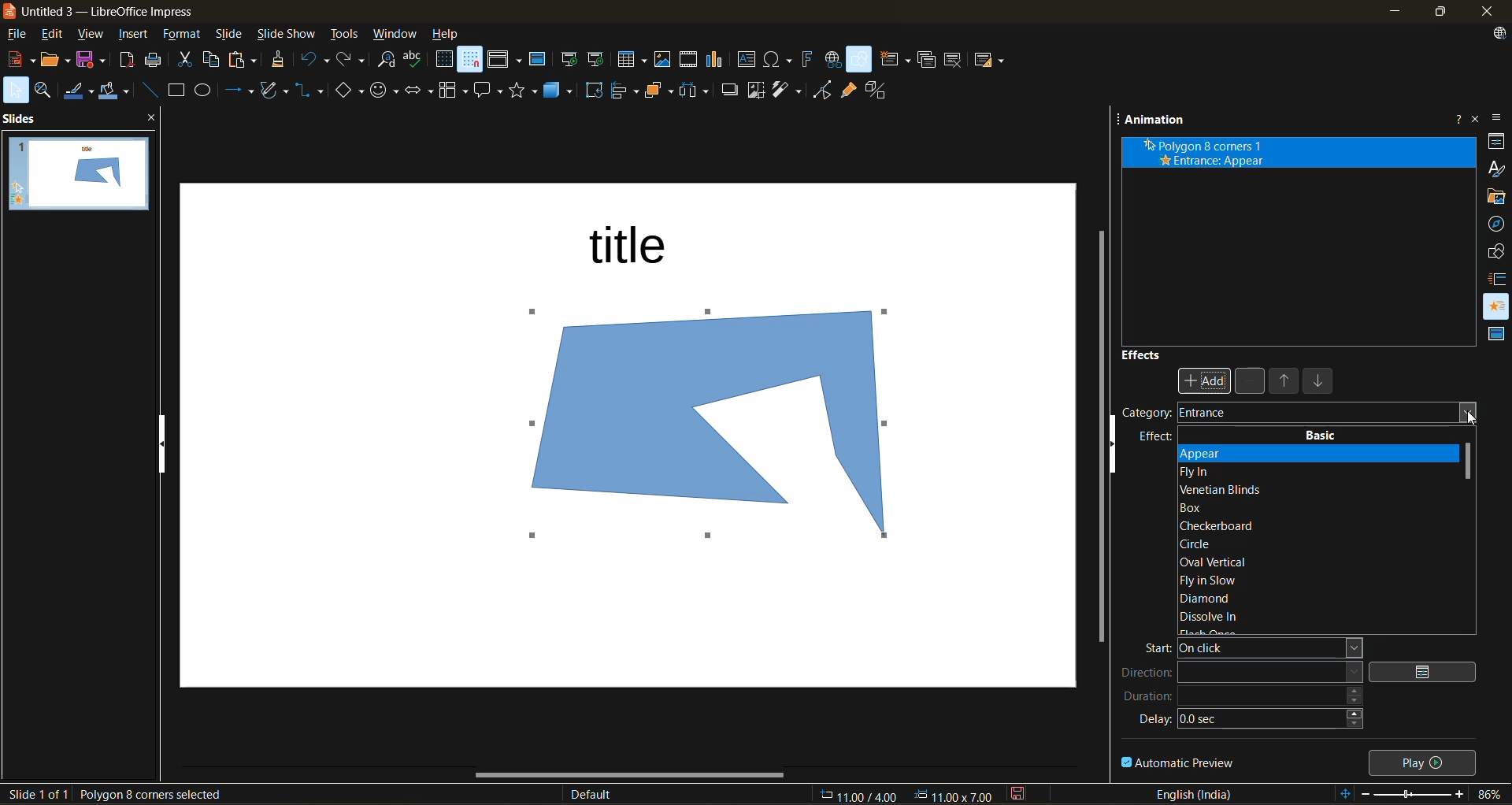 The width and height of the screenshot is (1512, 805). What do you see at coordinates (385, 93) in the screenshot?
I see `symbol shapes` at bounding box center [385, 93].